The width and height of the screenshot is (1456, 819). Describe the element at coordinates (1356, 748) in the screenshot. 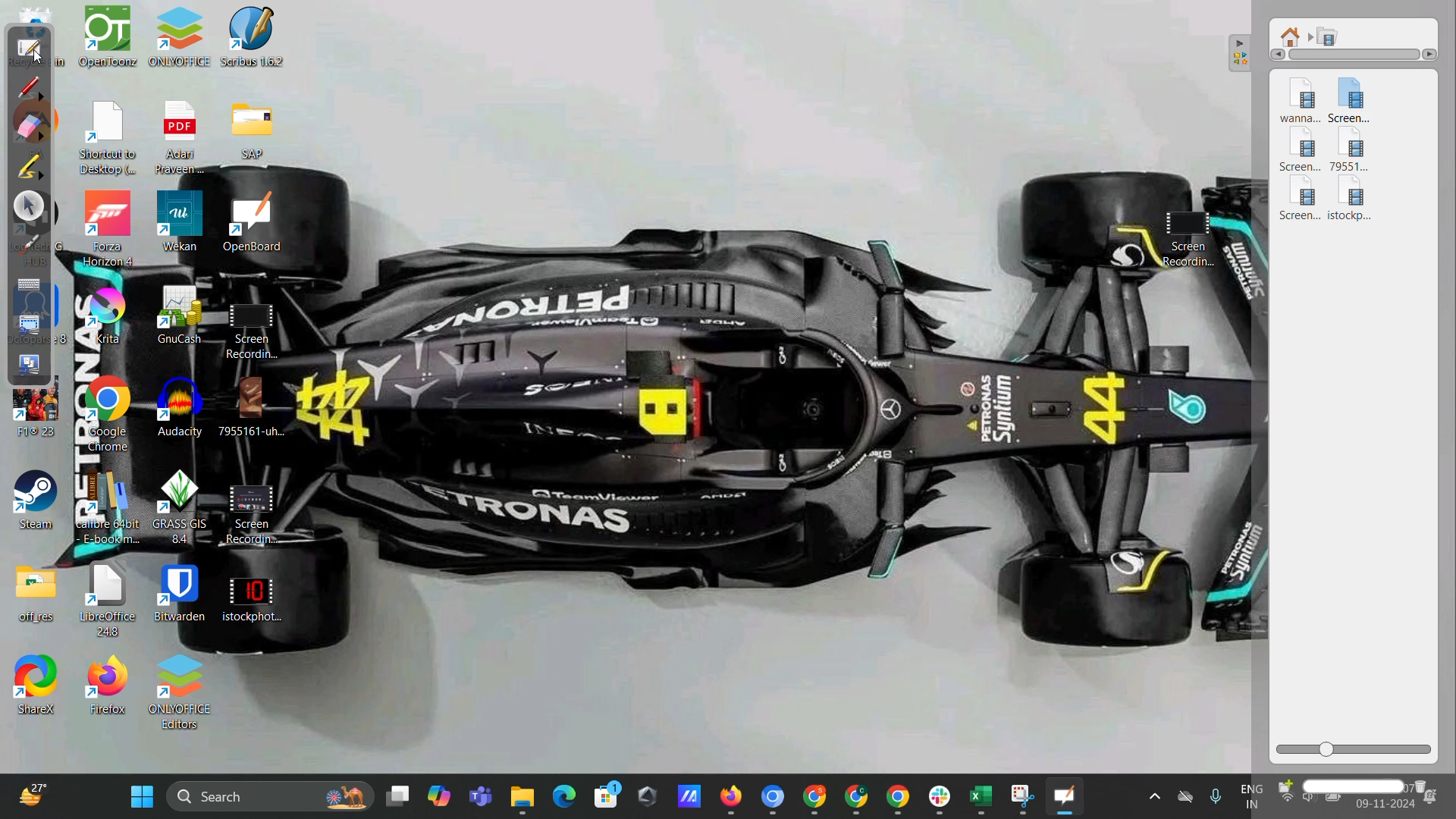

I see `zoom slider` at that location.